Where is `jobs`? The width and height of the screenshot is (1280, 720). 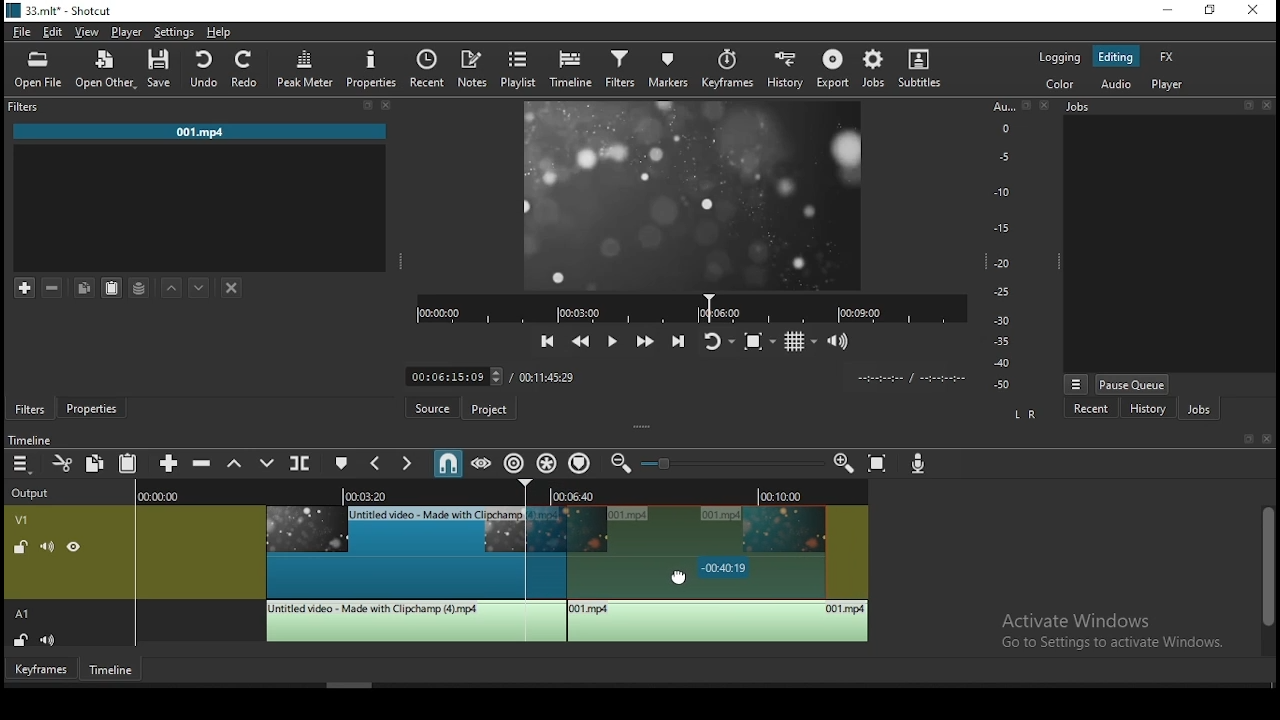
jobs is located at coordinates (1167, 107).